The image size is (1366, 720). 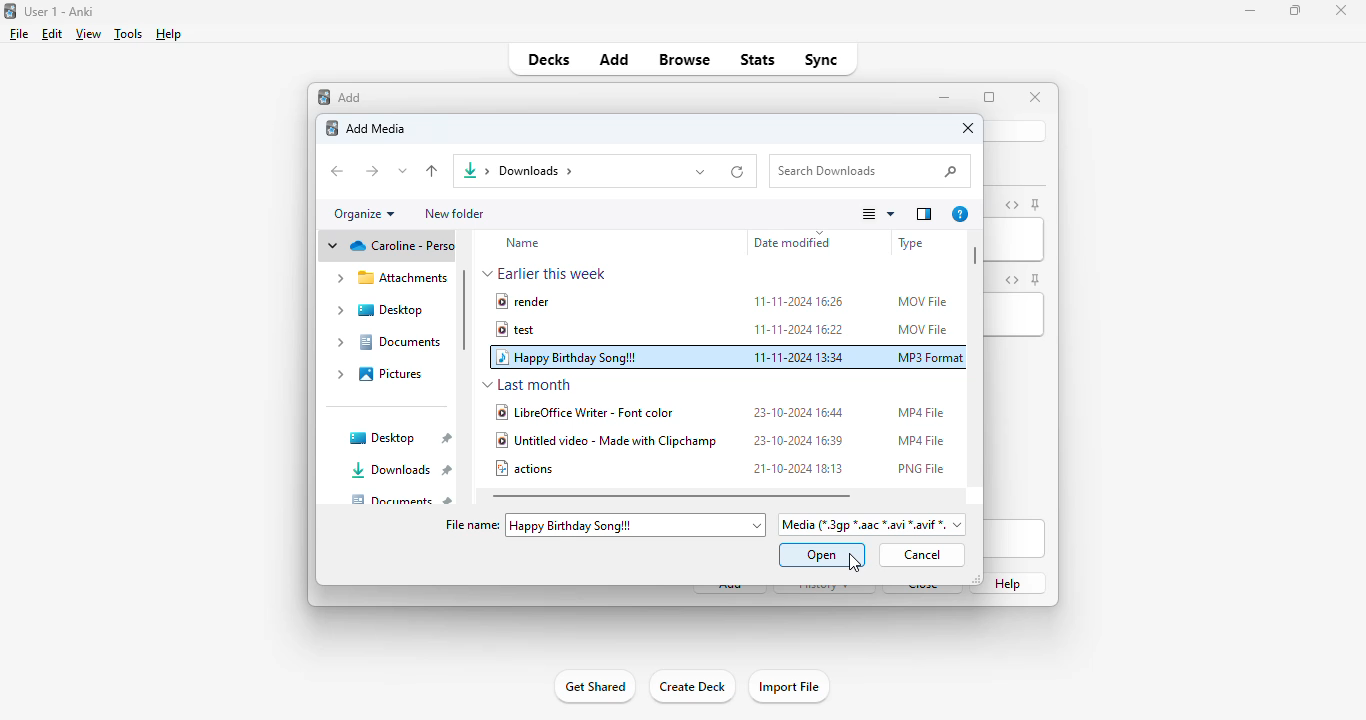 I want to click on horizontal scroll bar, so click(x=671, y=496).